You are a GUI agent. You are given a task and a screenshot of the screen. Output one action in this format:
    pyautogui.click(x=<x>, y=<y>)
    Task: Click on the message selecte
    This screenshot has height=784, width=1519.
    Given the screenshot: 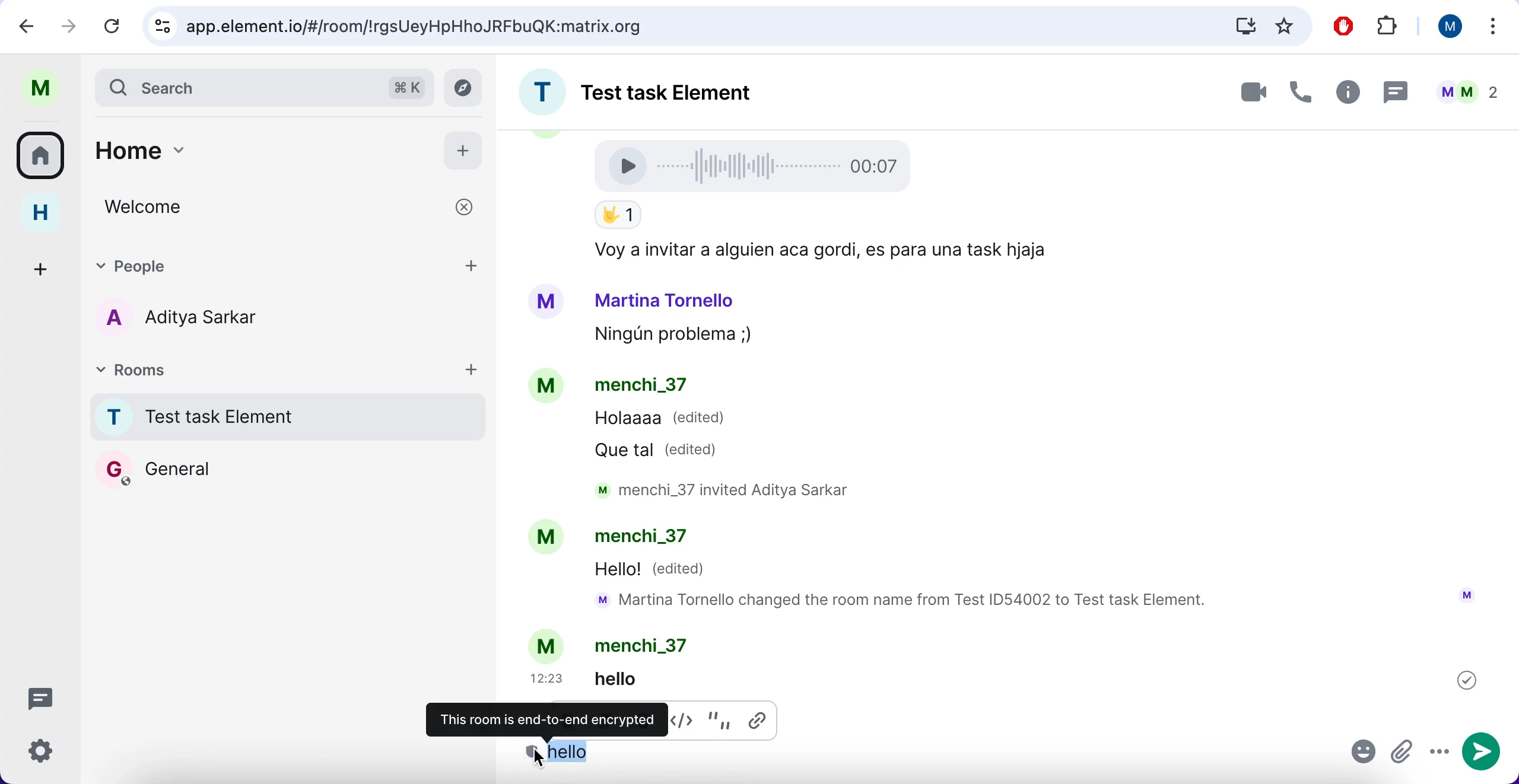 What is the action you would take?
    pyautogui.click(x=582, y=753)
    